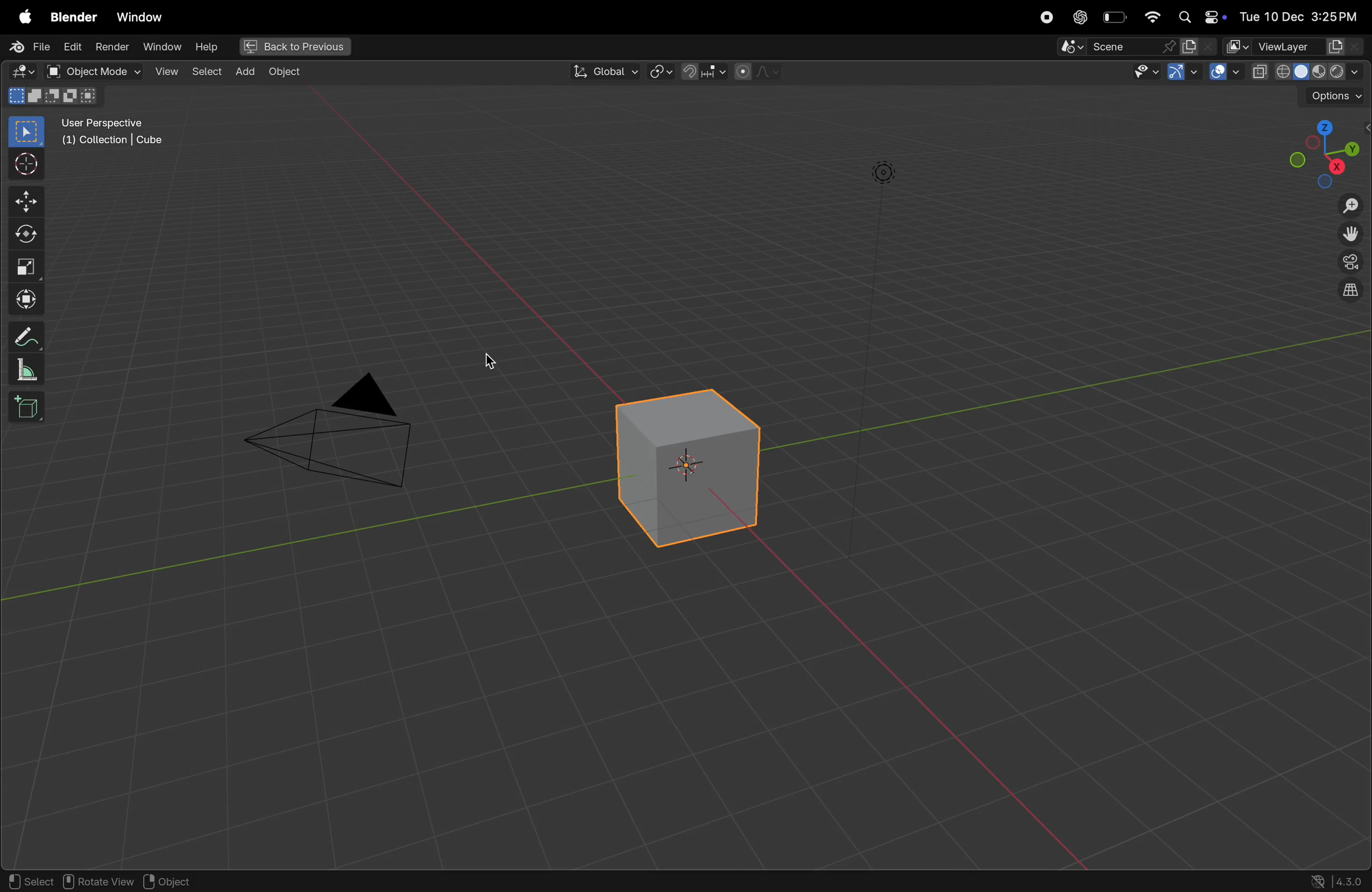  Describe the element at coordinates (1294, 46) in the screenshot. I see `View layer` at that location.